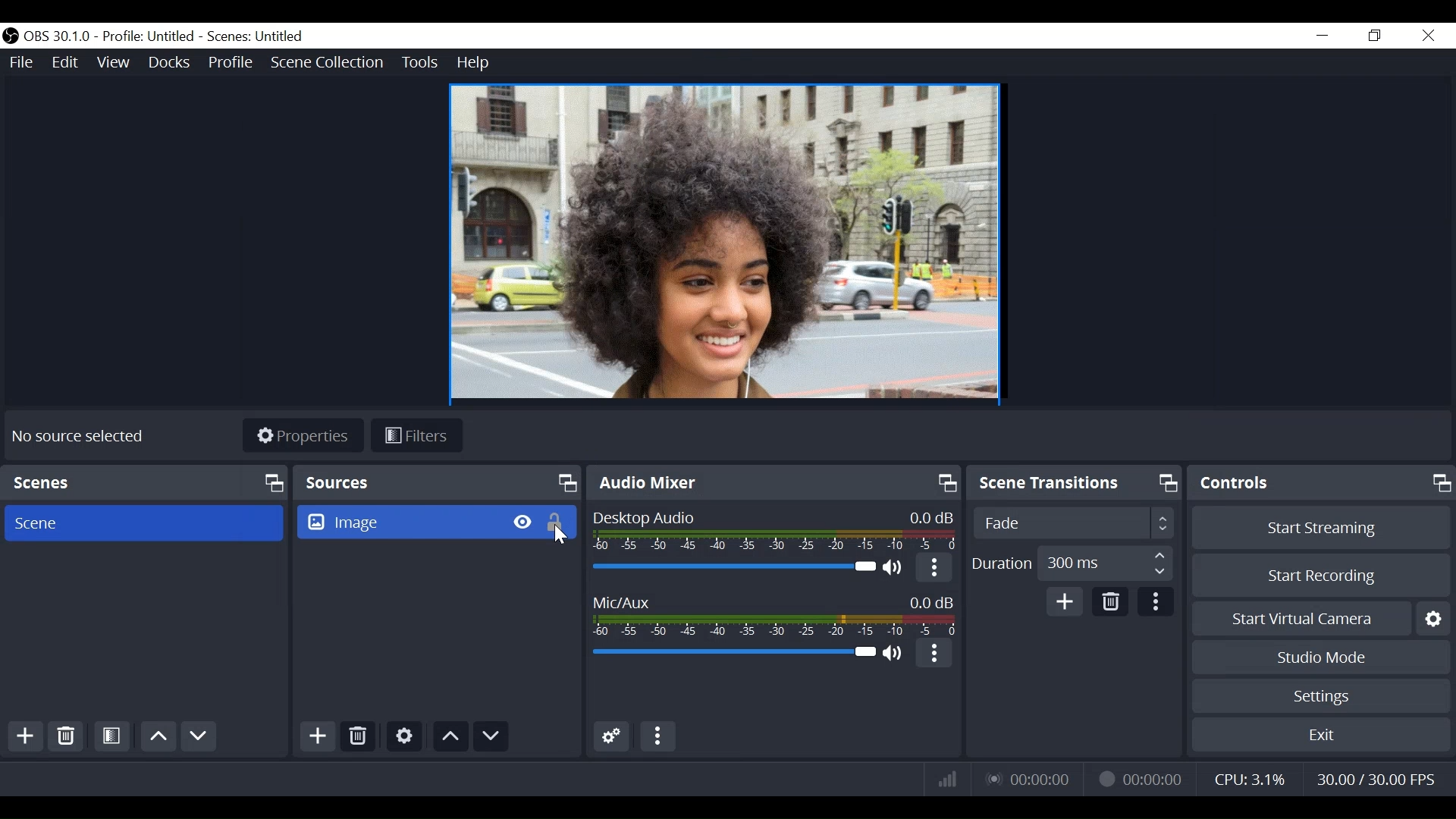  Describe the element at coordinates (659, 736) in the screenshot. I see `More Options` at that location.